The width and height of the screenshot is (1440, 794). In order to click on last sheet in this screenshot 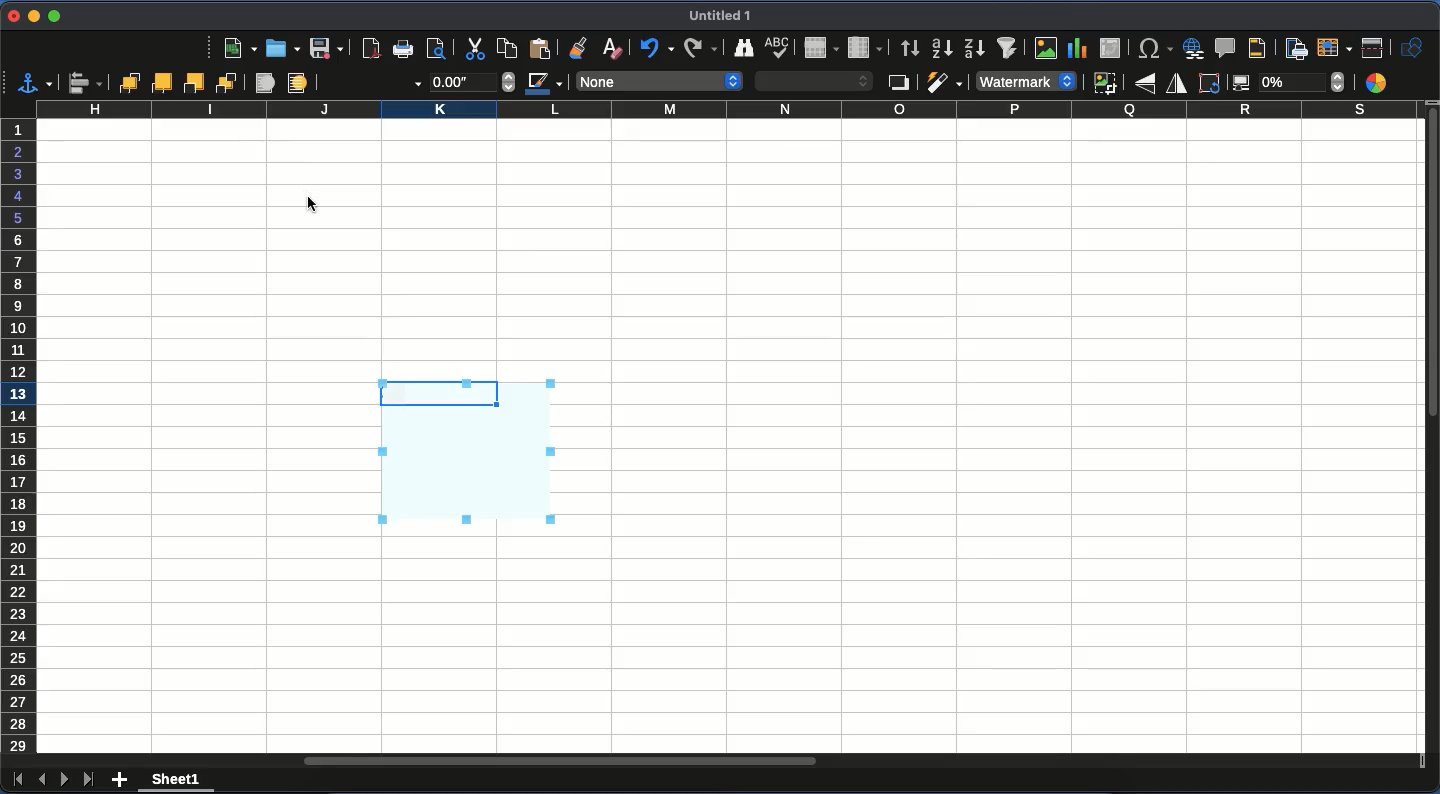, I will do `click(90, 780)`.